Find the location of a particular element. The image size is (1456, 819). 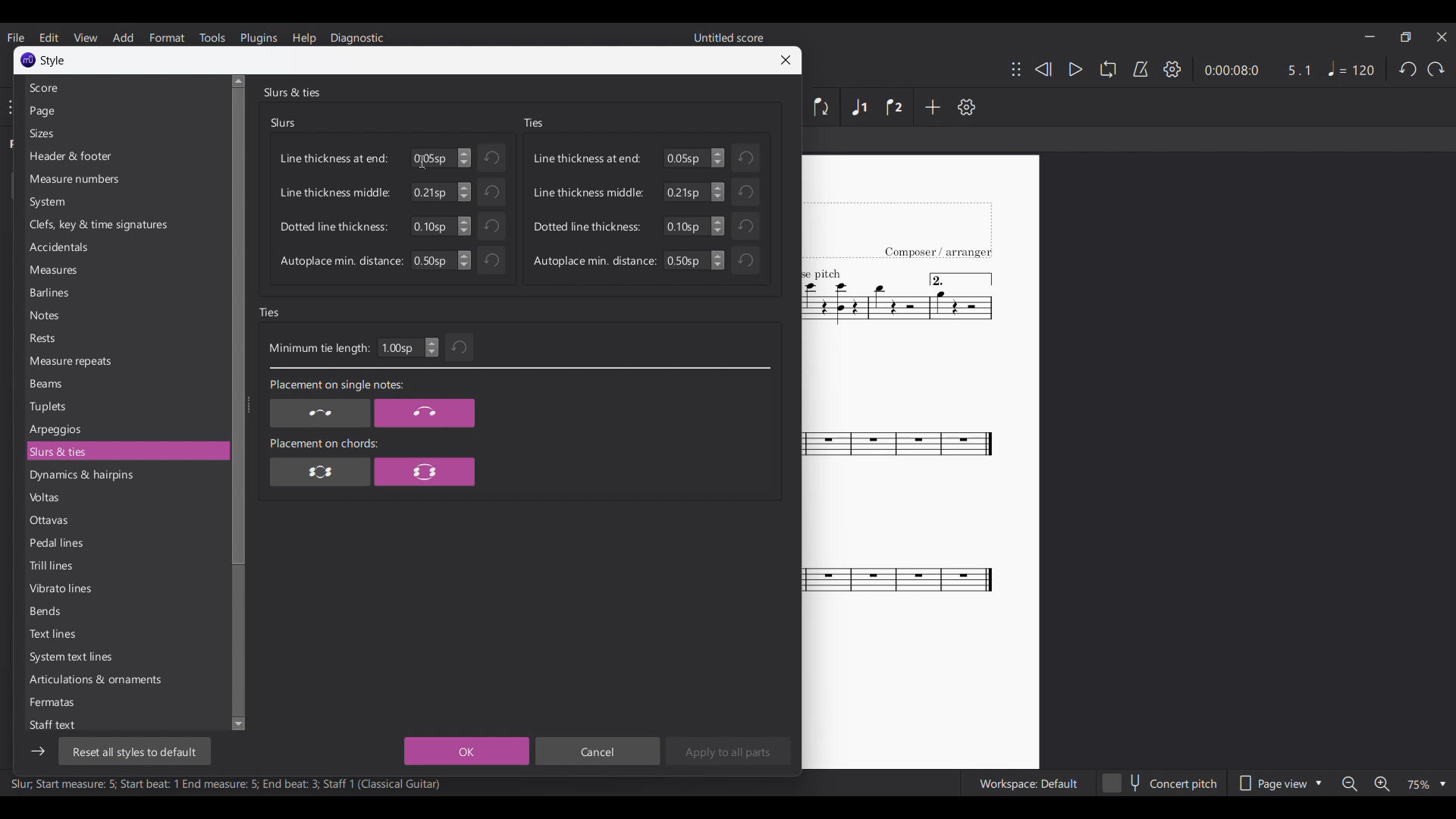

Diagnostic menu is located at coordinates (356, 39).